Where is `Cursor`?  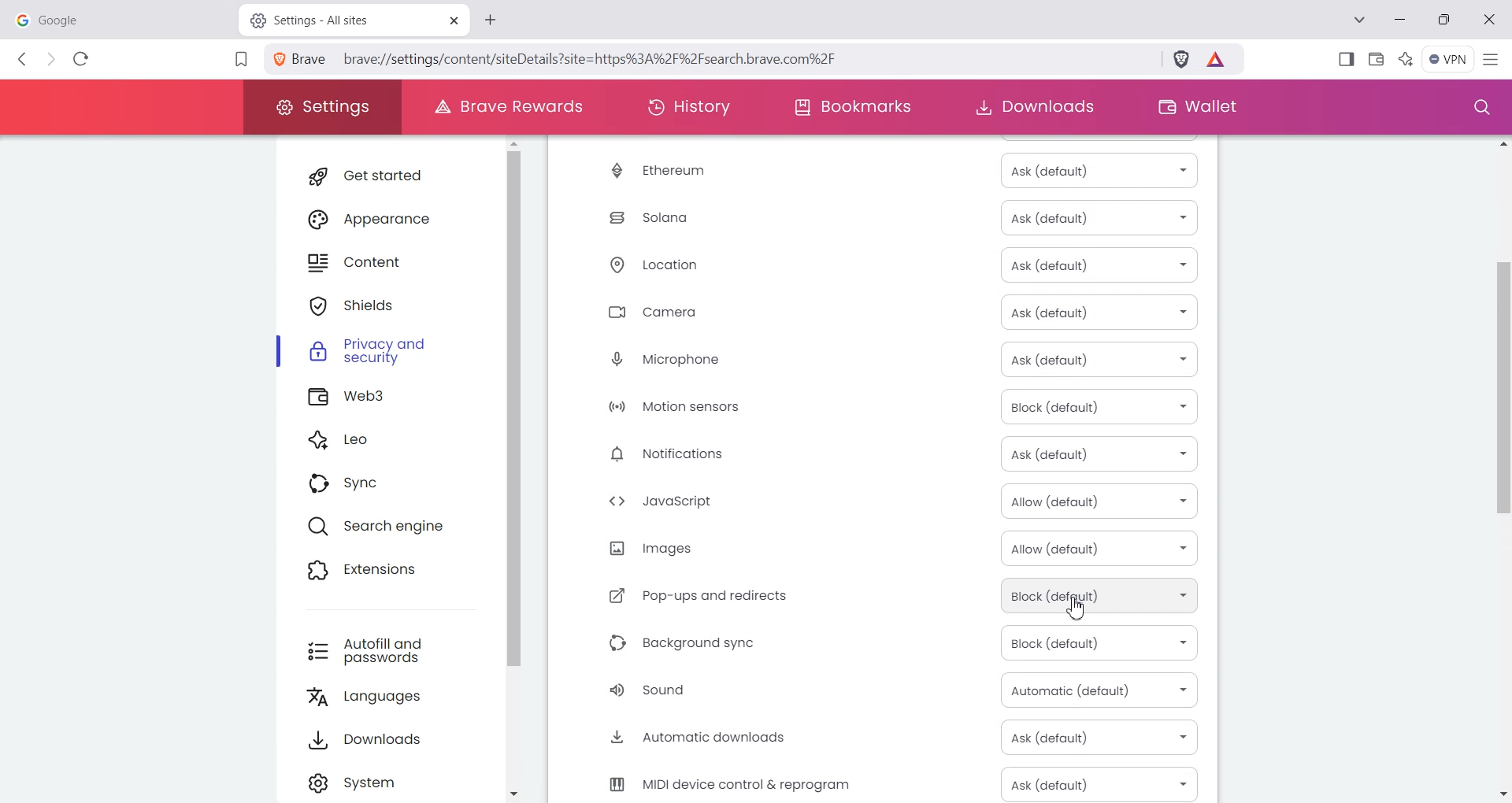
Cursor is located at coordinates (1079, 610).